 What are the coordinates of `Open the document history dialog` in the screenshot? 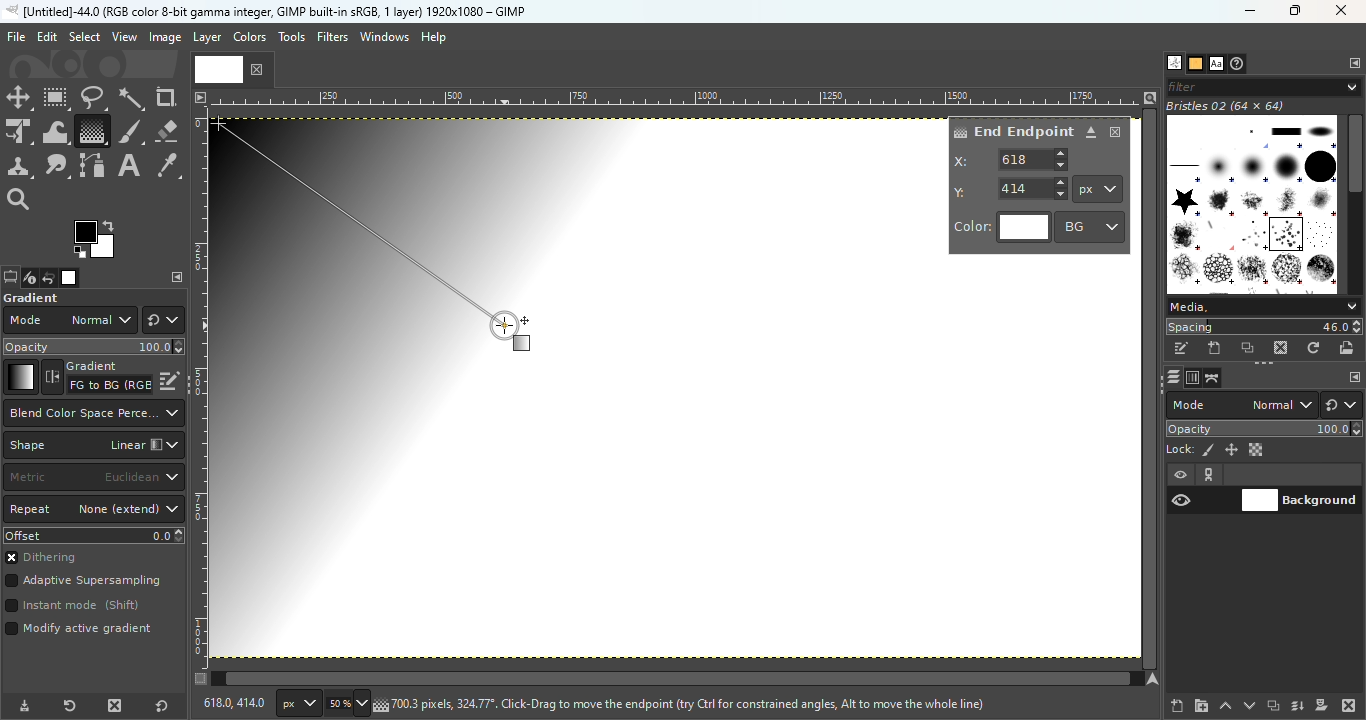 It's located at (1239, 64).